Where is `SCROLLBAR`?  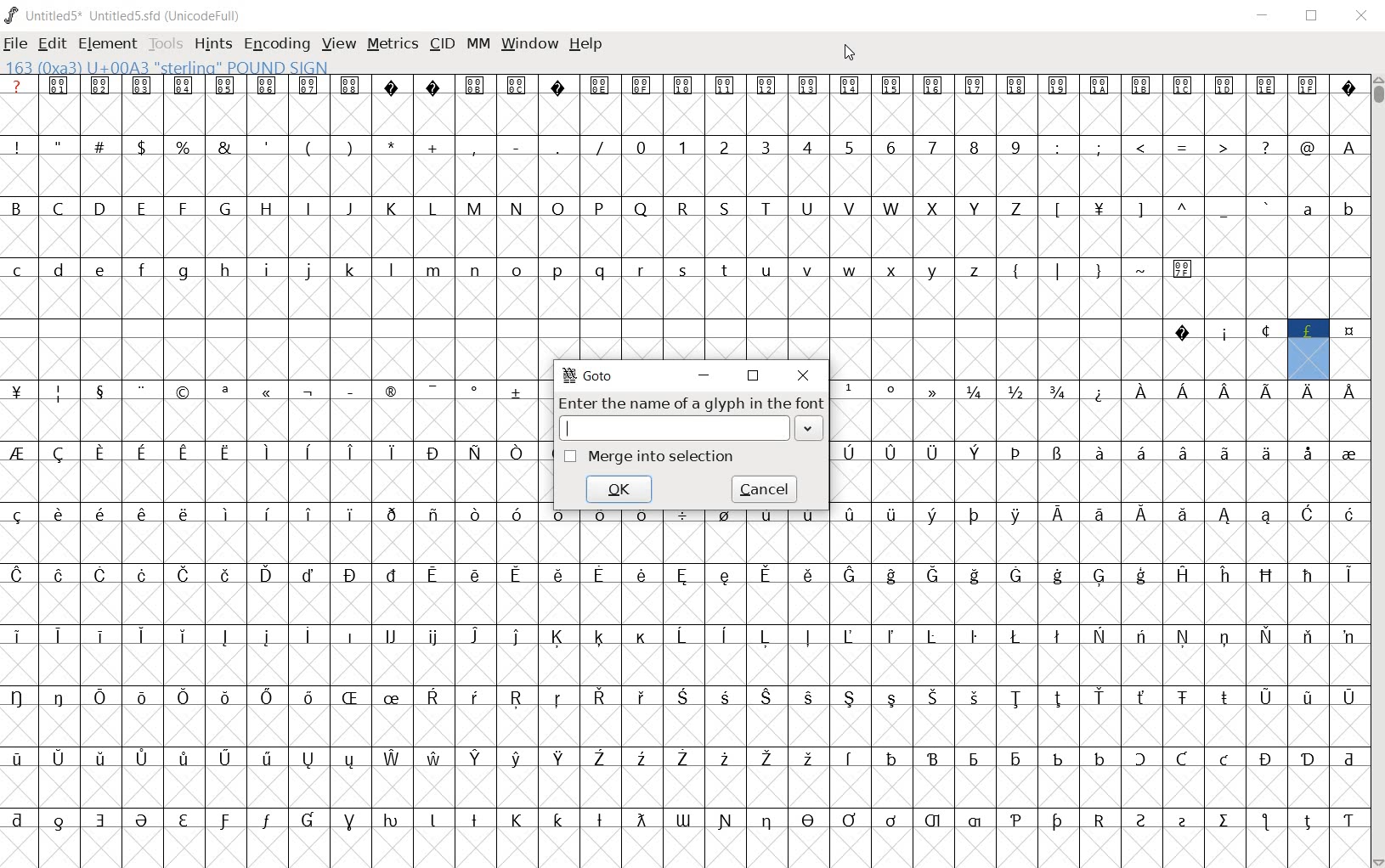 SCROLLBAR is located at coordinates (1377, 470).